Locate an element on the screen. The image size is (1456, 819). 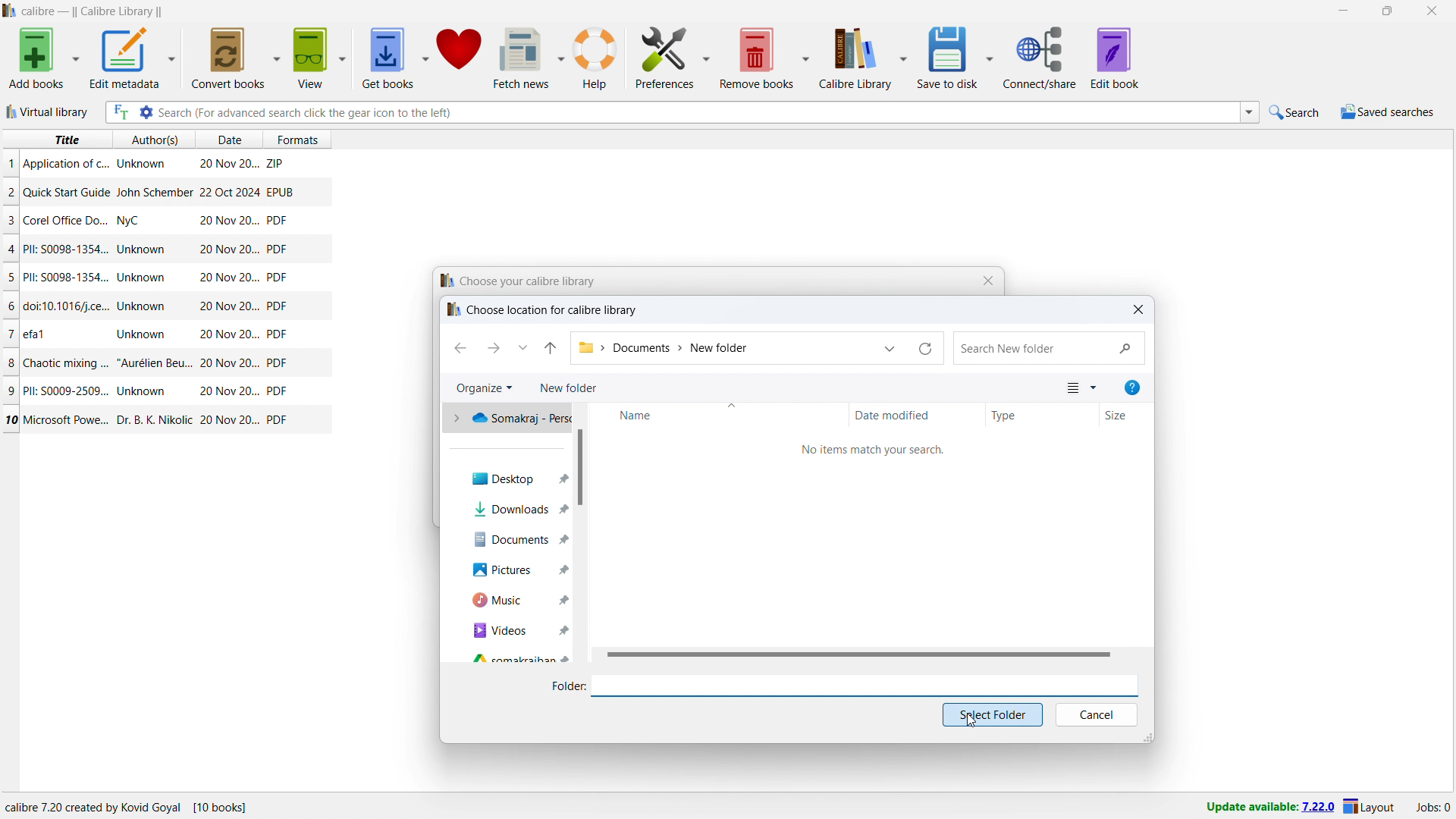
donate to calibre is located at coordinates (460, 57).